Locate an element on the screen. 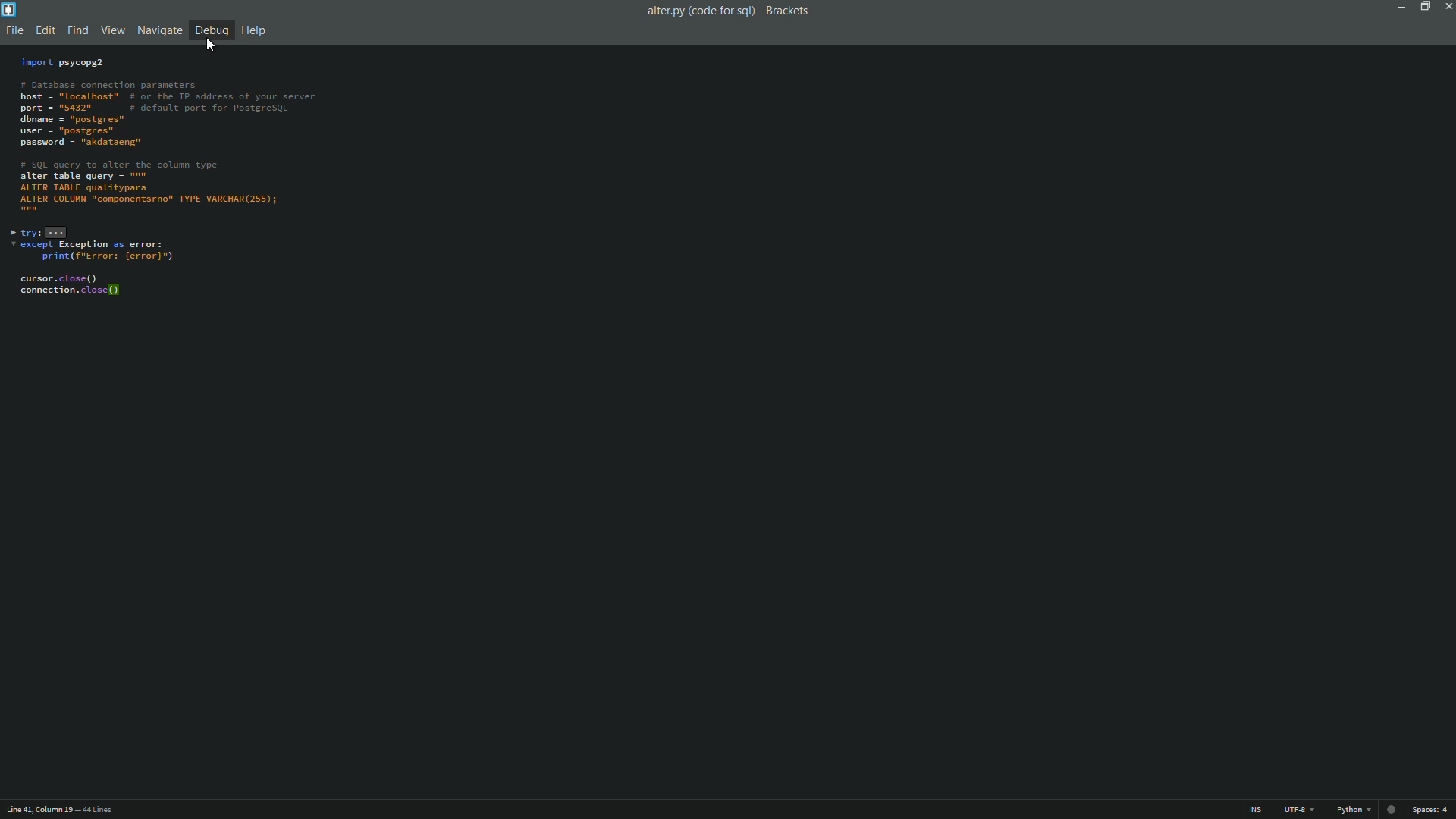 The height and width of the screenshot is (819, 1456). Find menu is located at coordinates (77, 31).